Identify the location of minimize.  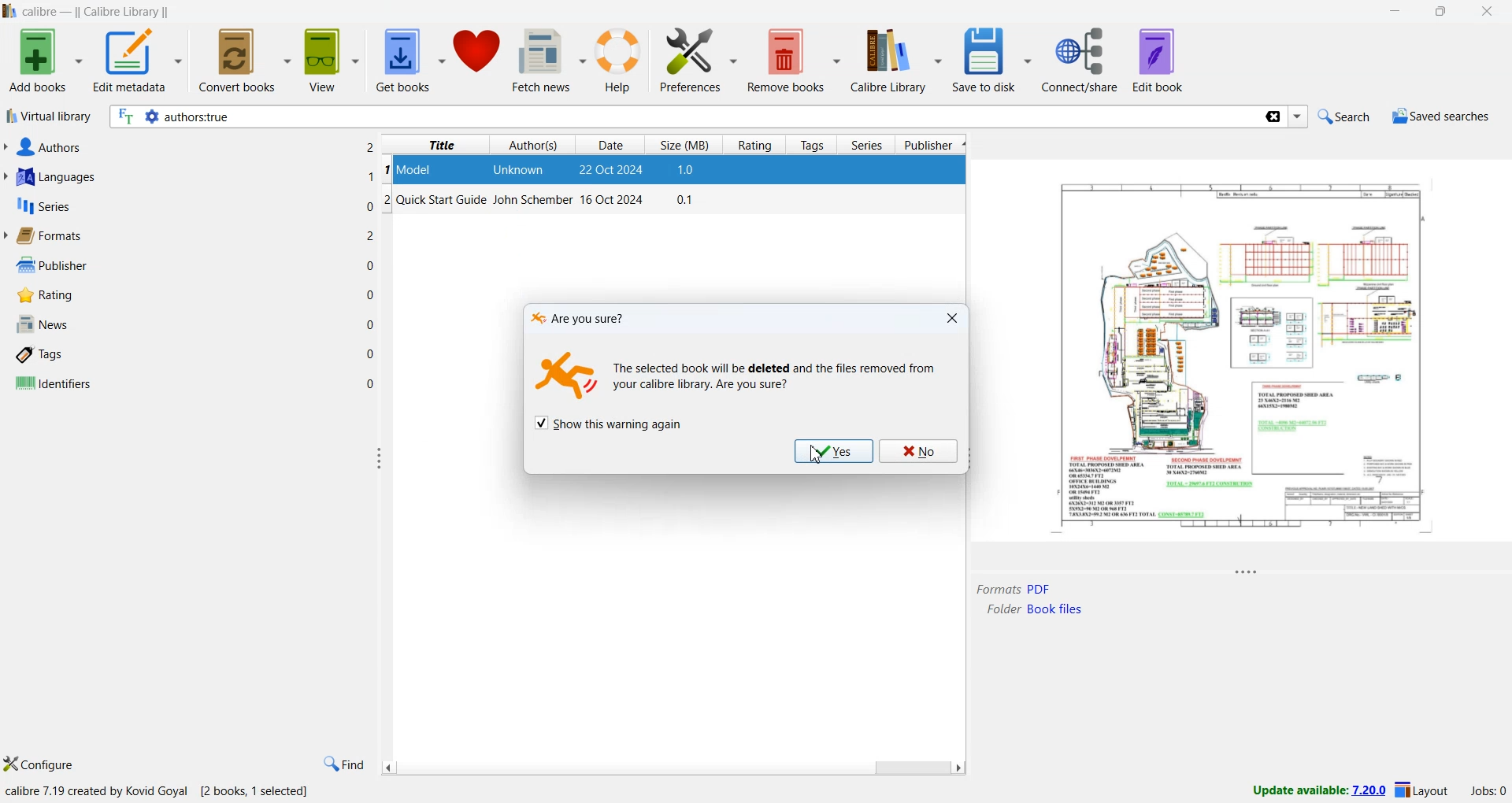
(1399, 13).